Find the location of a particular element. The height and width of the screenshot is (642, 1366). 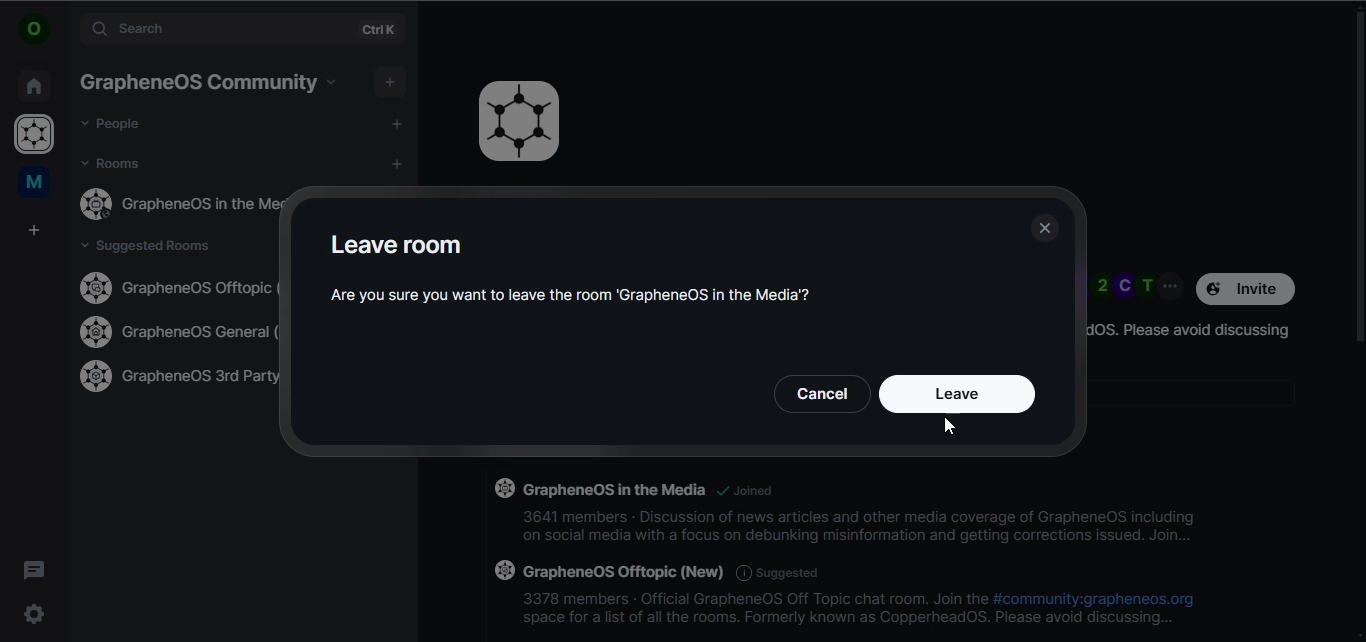

GrapheneOS in the Media Joined
3641 members - Discussion of news articles and other media coverage of Graphene0S including
on social media with a focus on debunking misinformation and getting corrections issued. Join... is located at coordinates (846, 515).